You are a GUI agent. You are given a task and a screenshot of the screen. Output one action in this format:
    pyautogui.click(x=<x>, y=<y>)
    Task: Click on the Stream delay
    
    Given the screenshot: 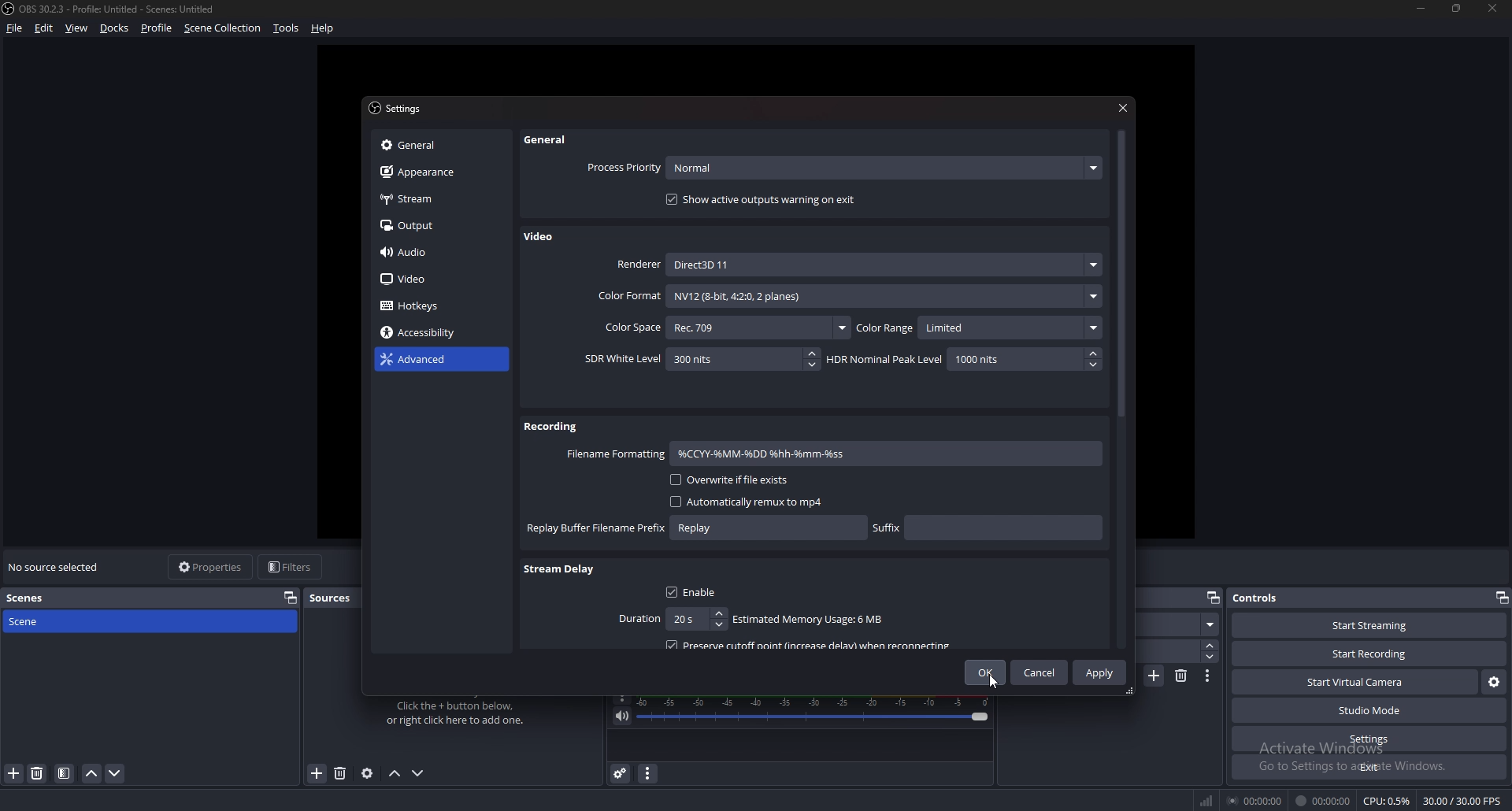 What is the action you would take?
    pyautogui.click(x=560, y=571)
    